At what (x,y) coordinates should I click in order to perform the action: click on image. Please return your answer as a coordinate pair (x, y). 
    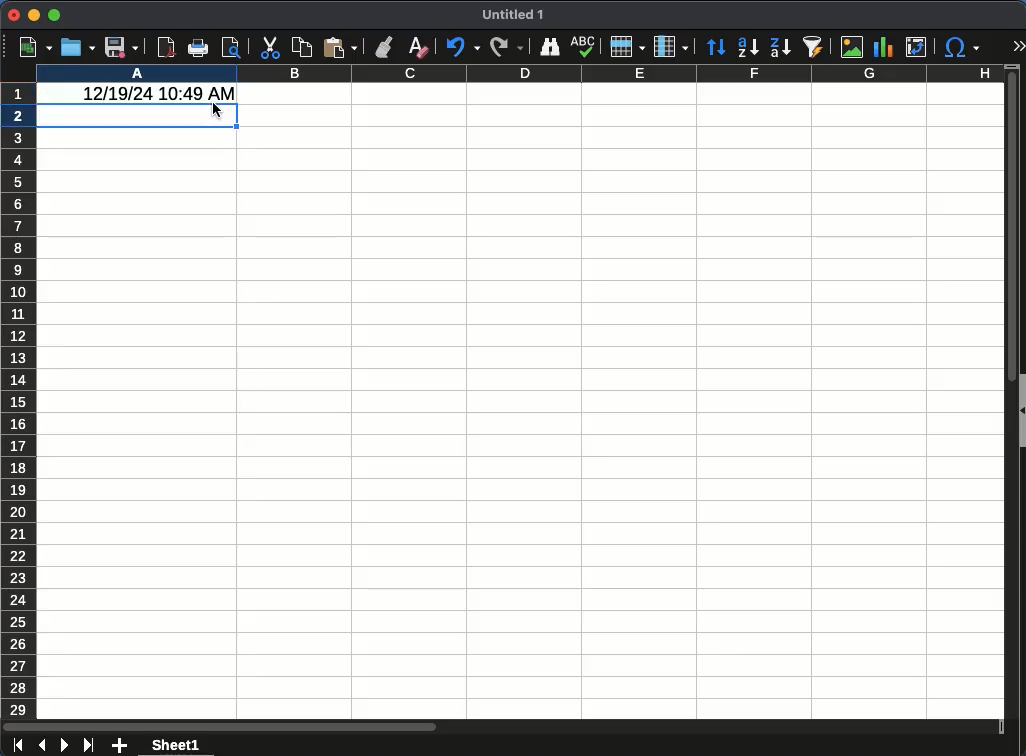
    Looking at the image, I should click on (850, 46).